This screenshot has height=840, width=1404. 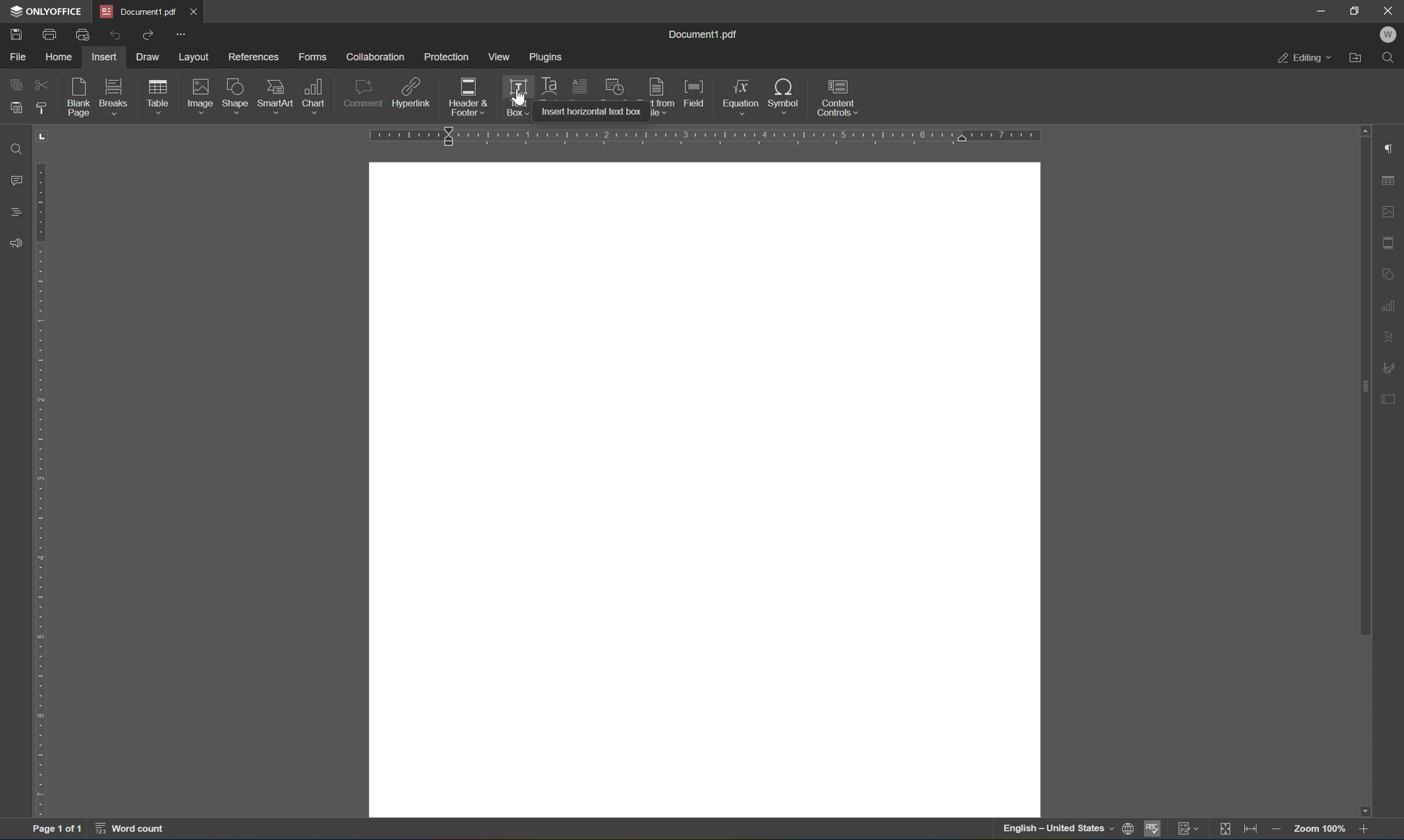 I want to click on word count, so click(x=131, y=829).